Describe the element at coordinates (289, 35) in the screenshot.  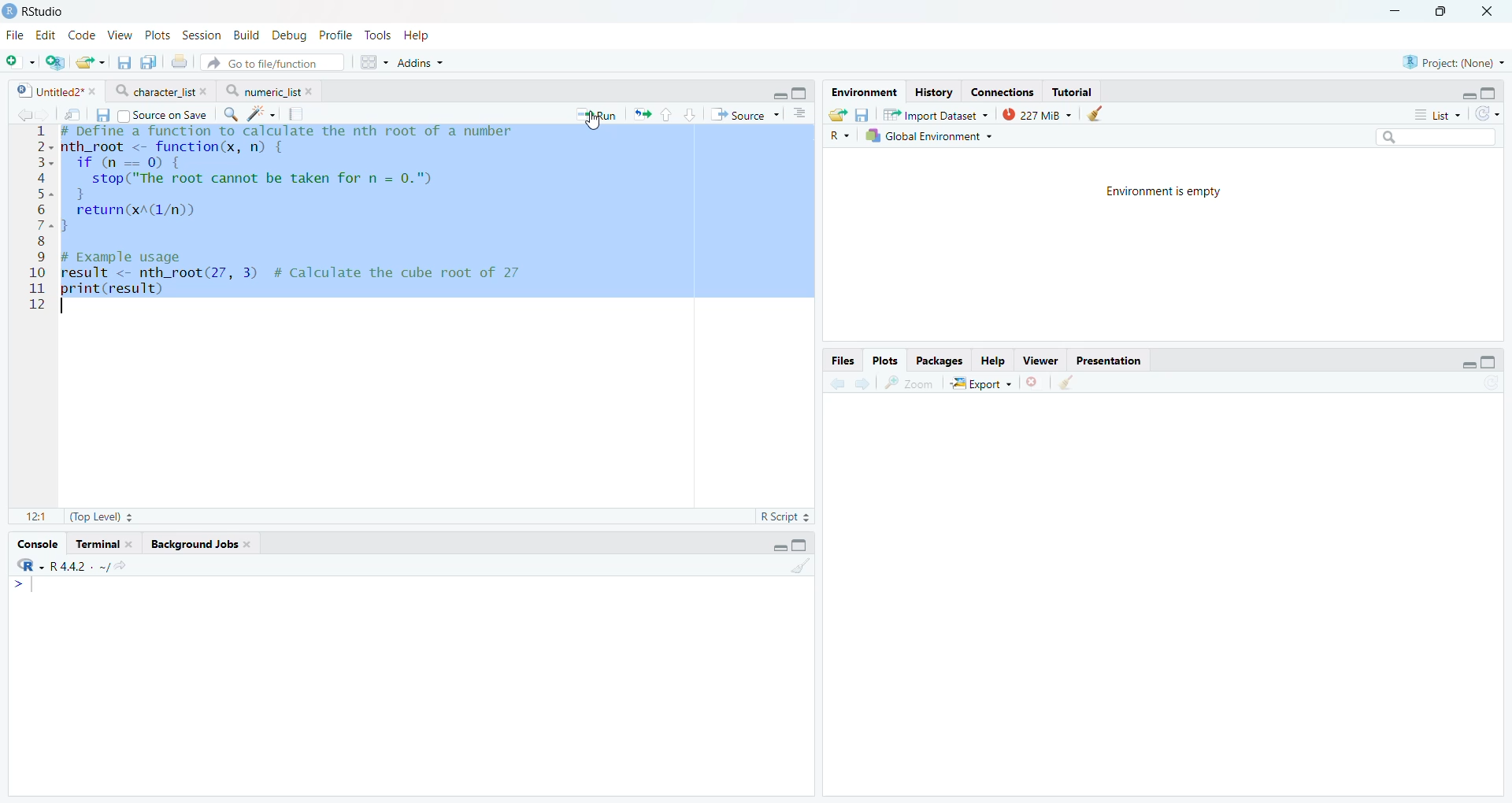
I see `Debug` at that location.